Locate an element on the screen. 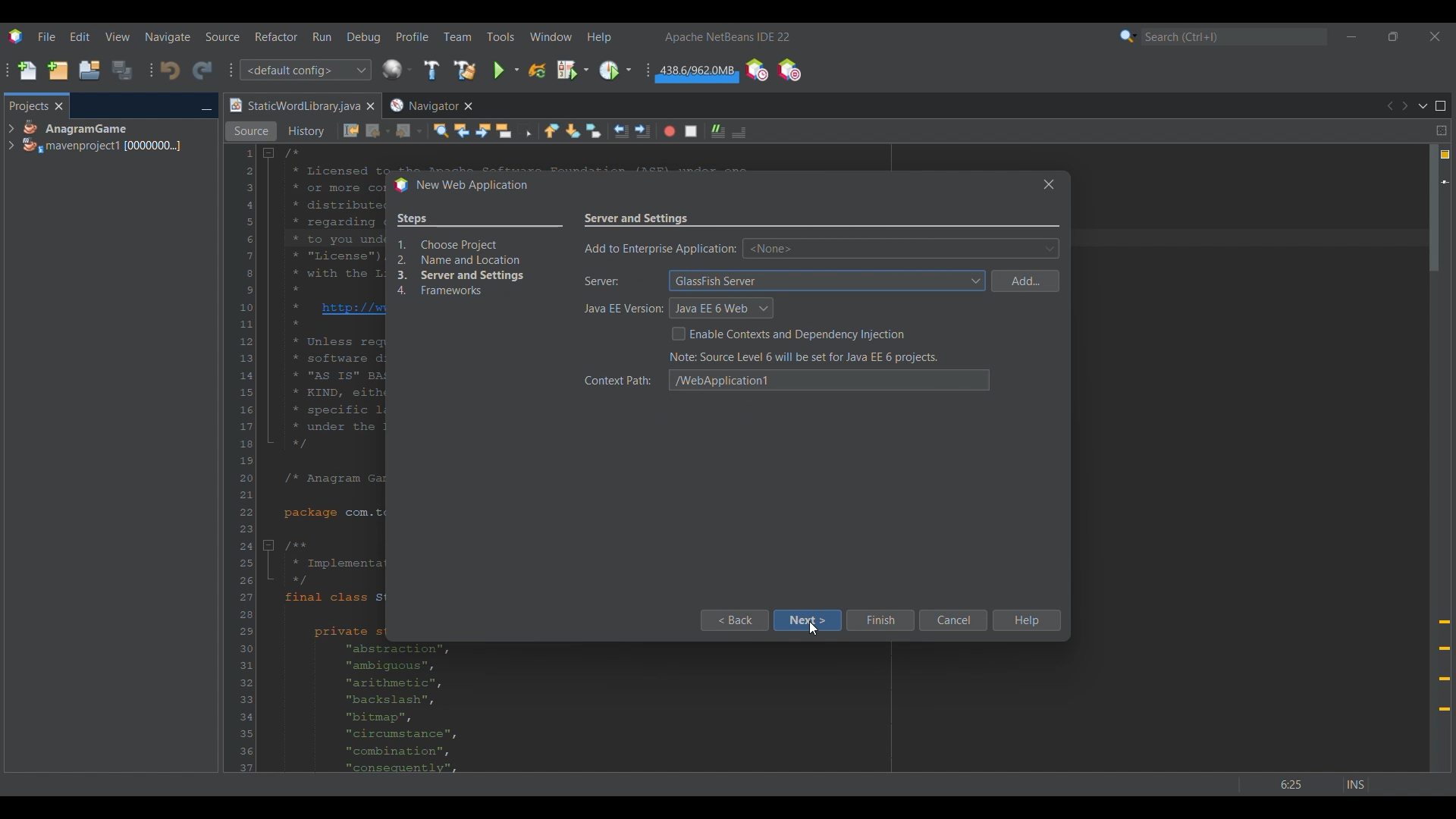  Toggle bookmarks is located at coordinates (593, 130).